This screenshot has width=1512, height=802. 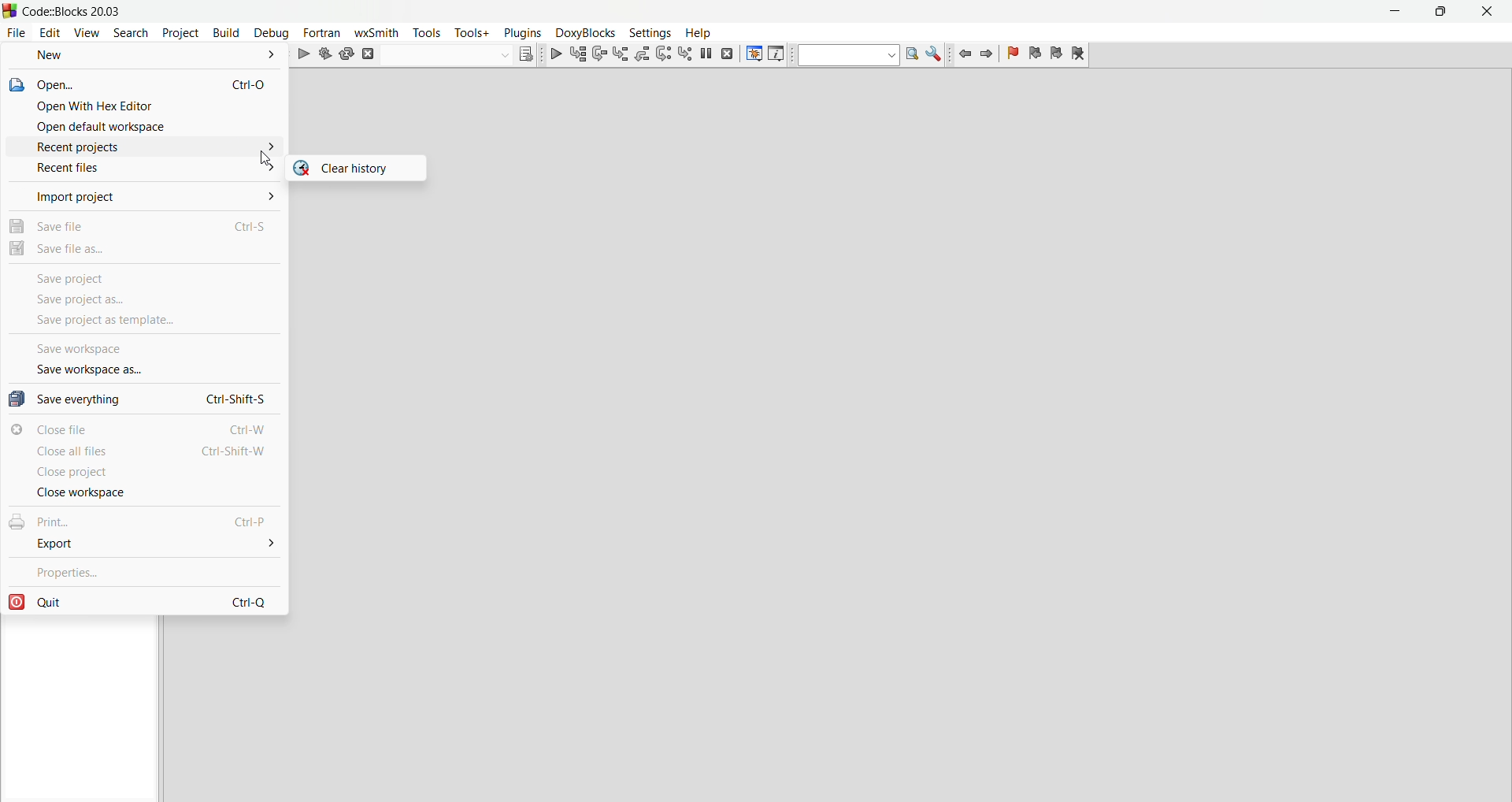 I want to click on clear history, so click(x=361, y=169).